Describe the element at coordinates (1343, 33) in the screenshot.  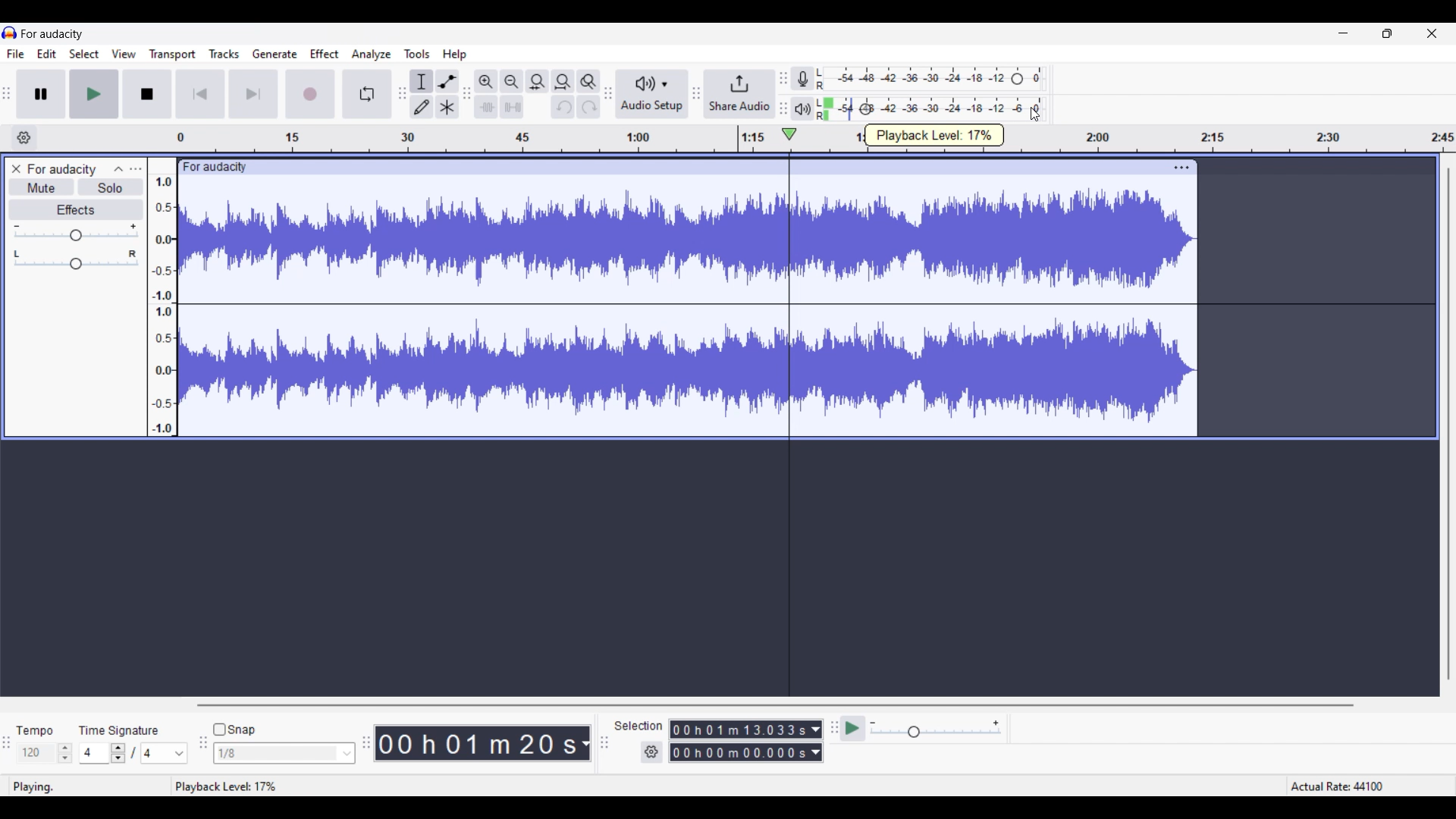
I see `Minimize` at that location.